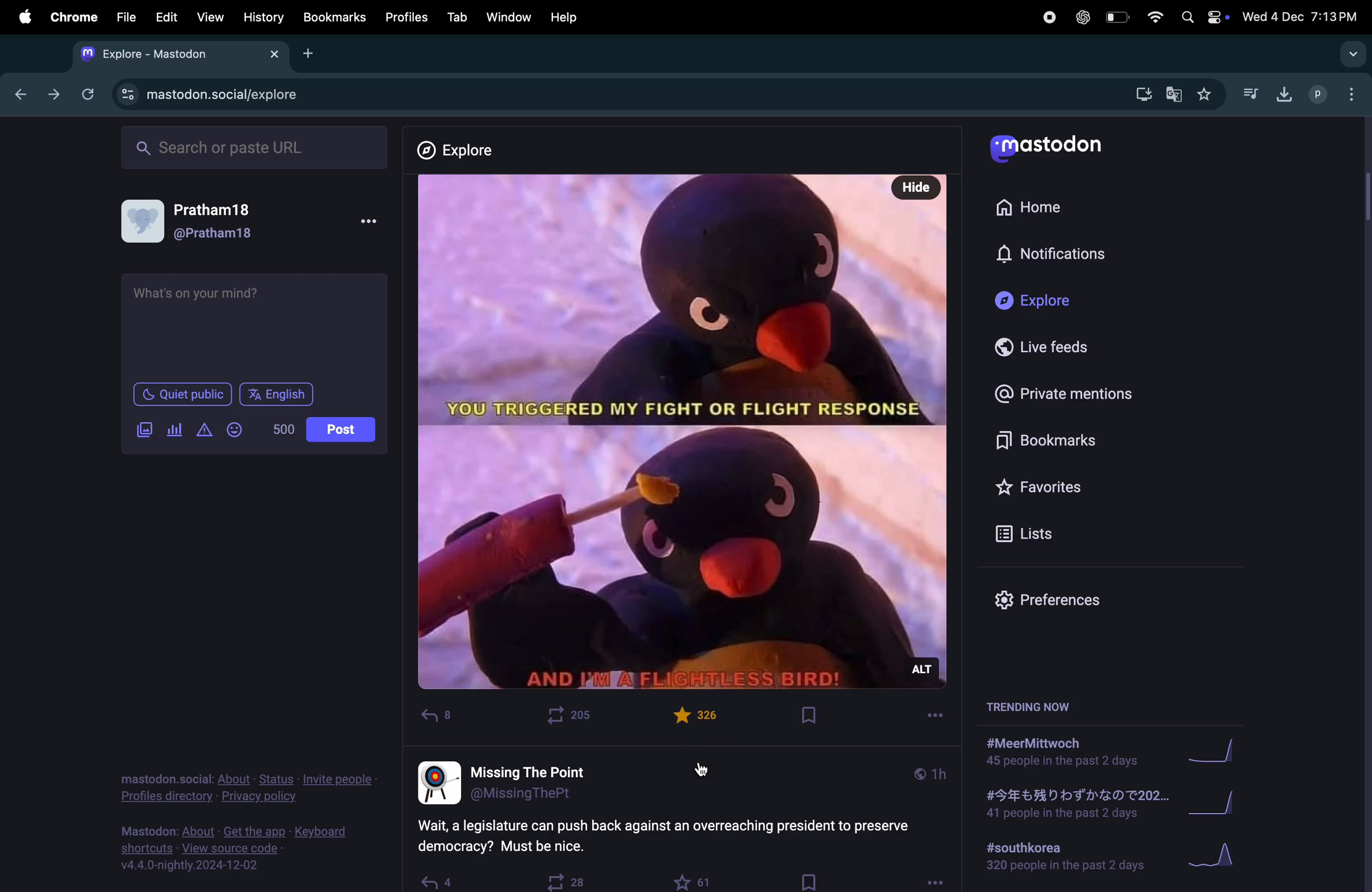 This screenshot has height=892, width=1372. Describe the element at coordinates (20, 97) in the screenshot. I see `back` at that location.